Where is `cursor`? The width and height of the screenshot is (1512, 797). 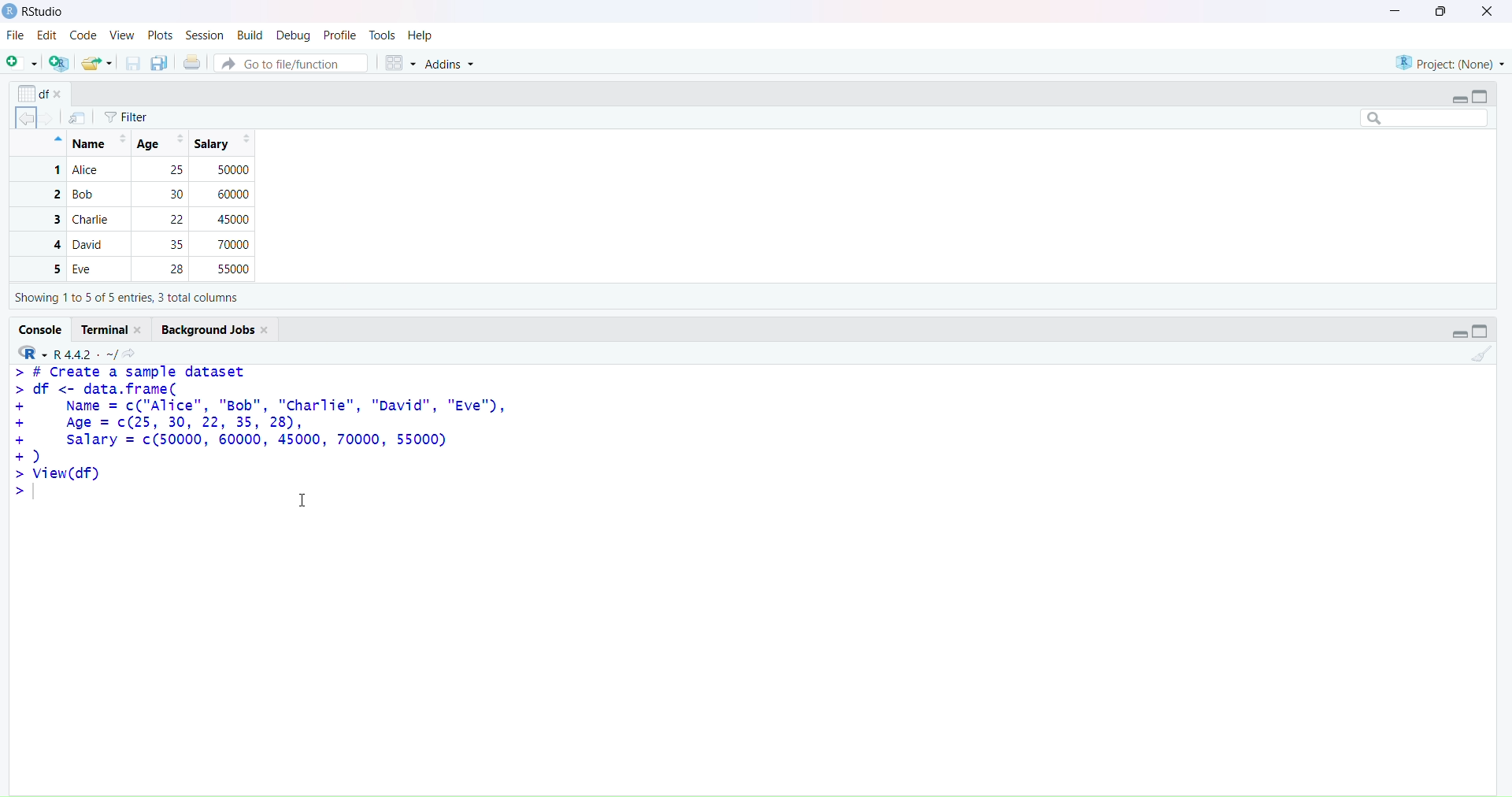 cursor is located at coordinates (306, 499).